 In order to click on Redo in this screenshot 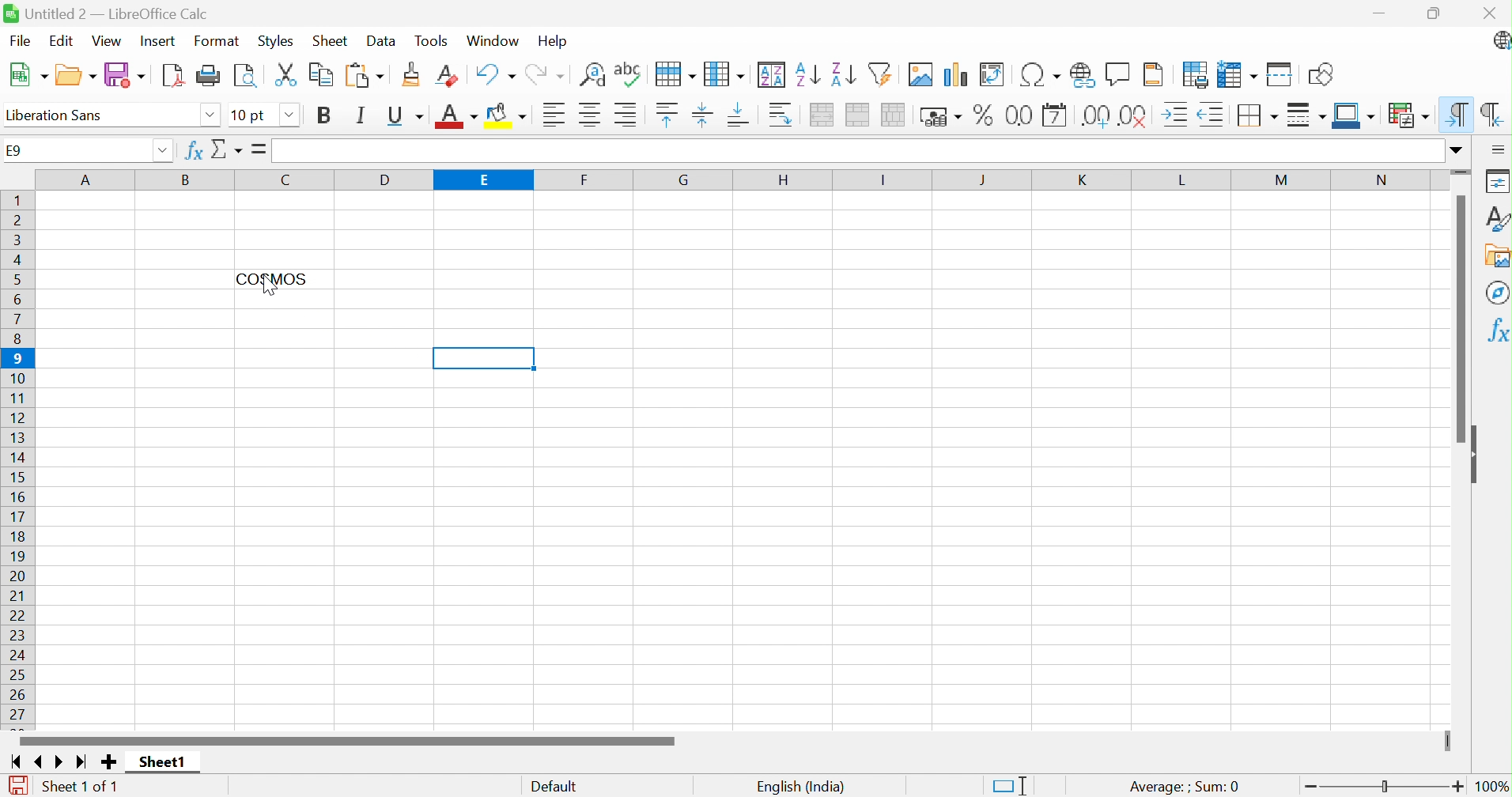, I will do `click(544, 76)`.